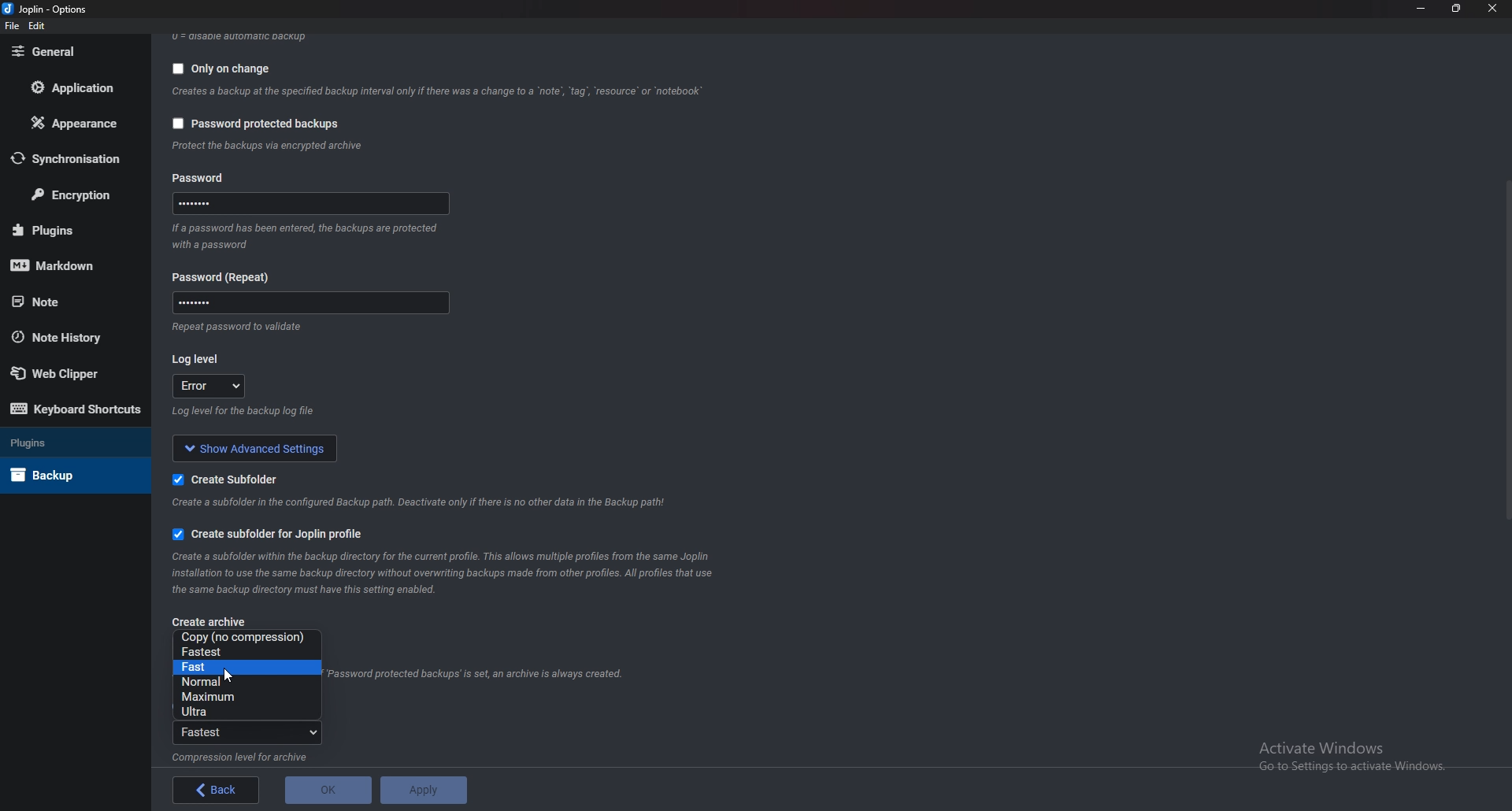 The image size is (1512, 811). Describe the element at coordinates (269, 536) in the screenshot. I see `Create subfolder for Joplin profile` at that location.